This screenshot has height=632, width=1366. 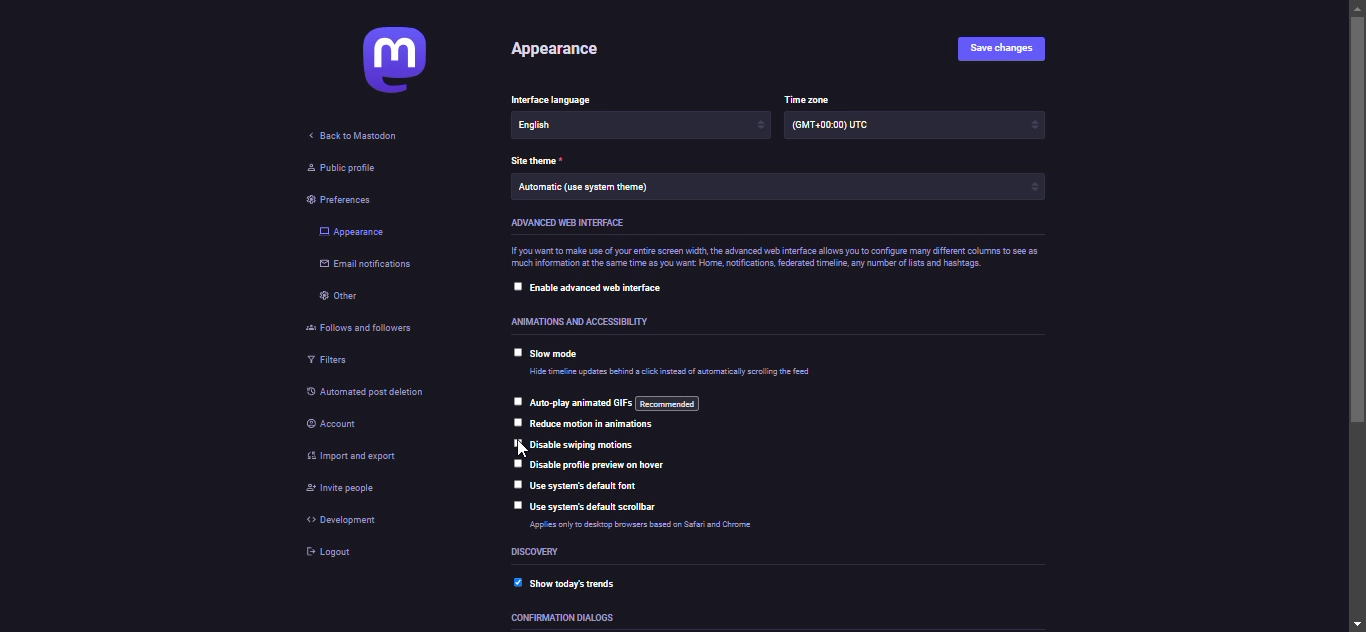 I want to click on other, so click(x=338, y=297).